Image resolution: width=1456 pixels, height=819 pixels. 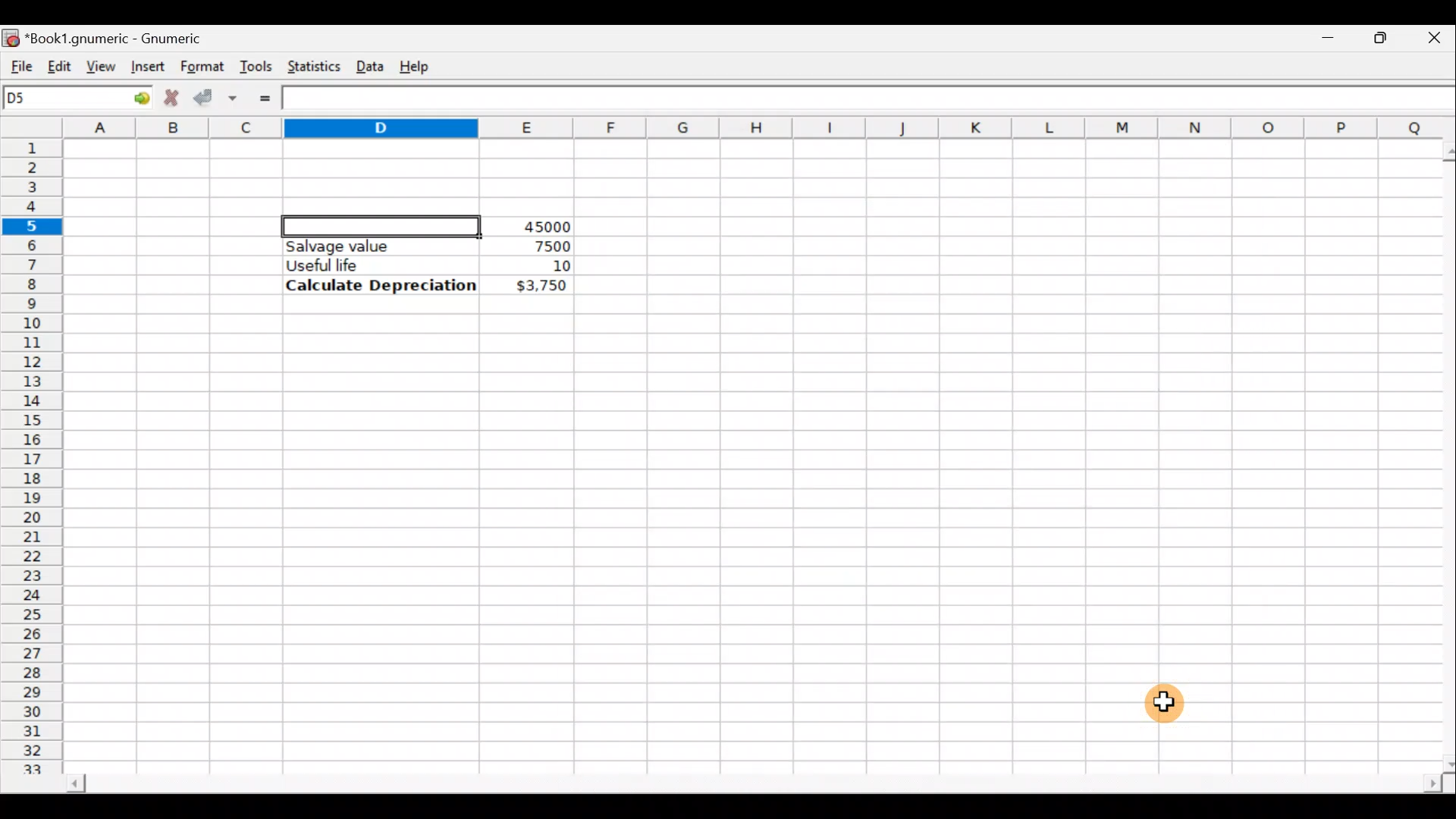 What do you see at coordinates (11, 36) in the screenshot?
I see `Gnumeric logo` at bounding box center [11, 36].